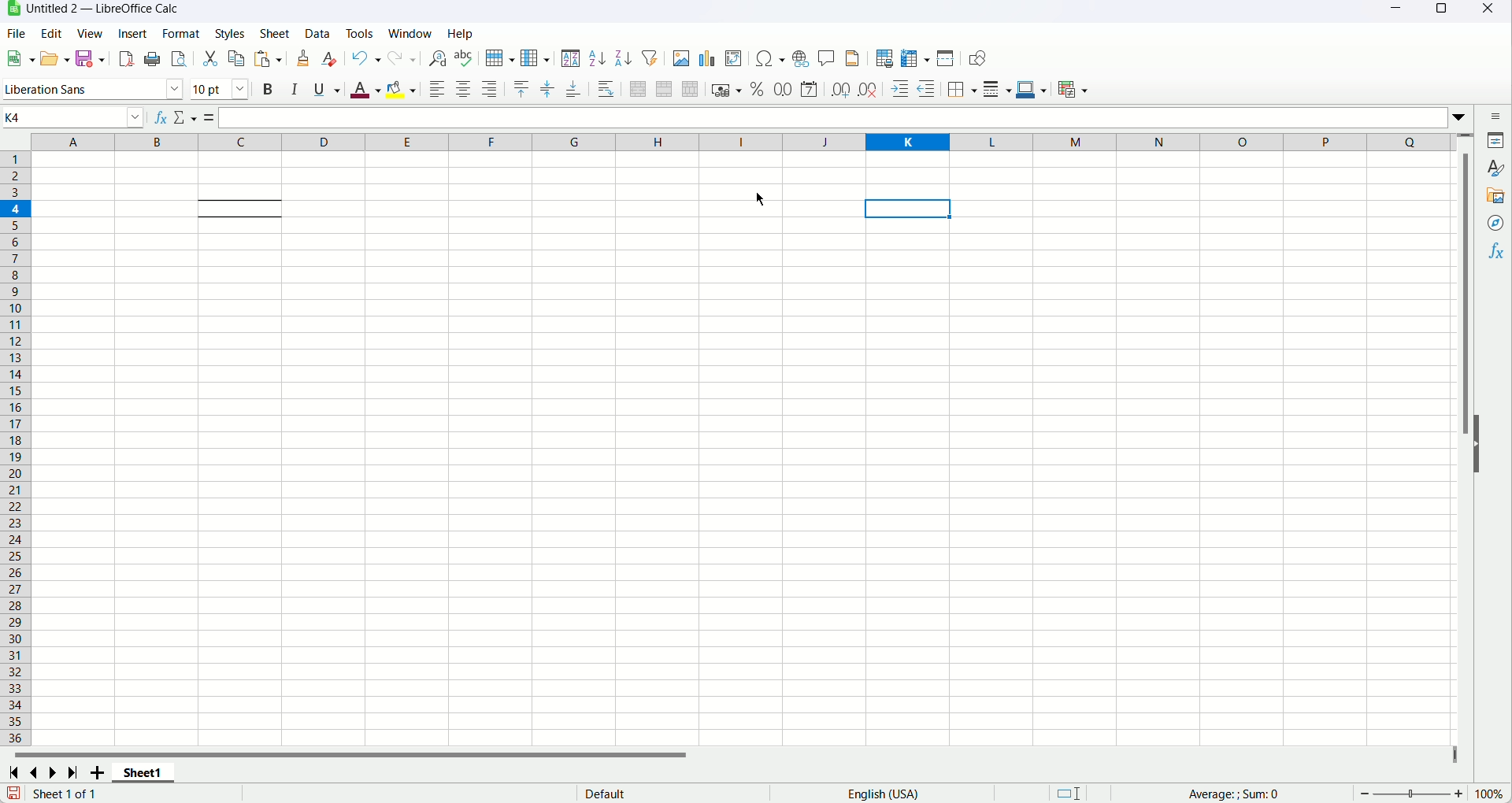 The width and height of the screenshot is (1512, 803). What do you see at coordinates (13, 774) in the screenshot?
I see `First sheet` at bounding box center [13, 774].